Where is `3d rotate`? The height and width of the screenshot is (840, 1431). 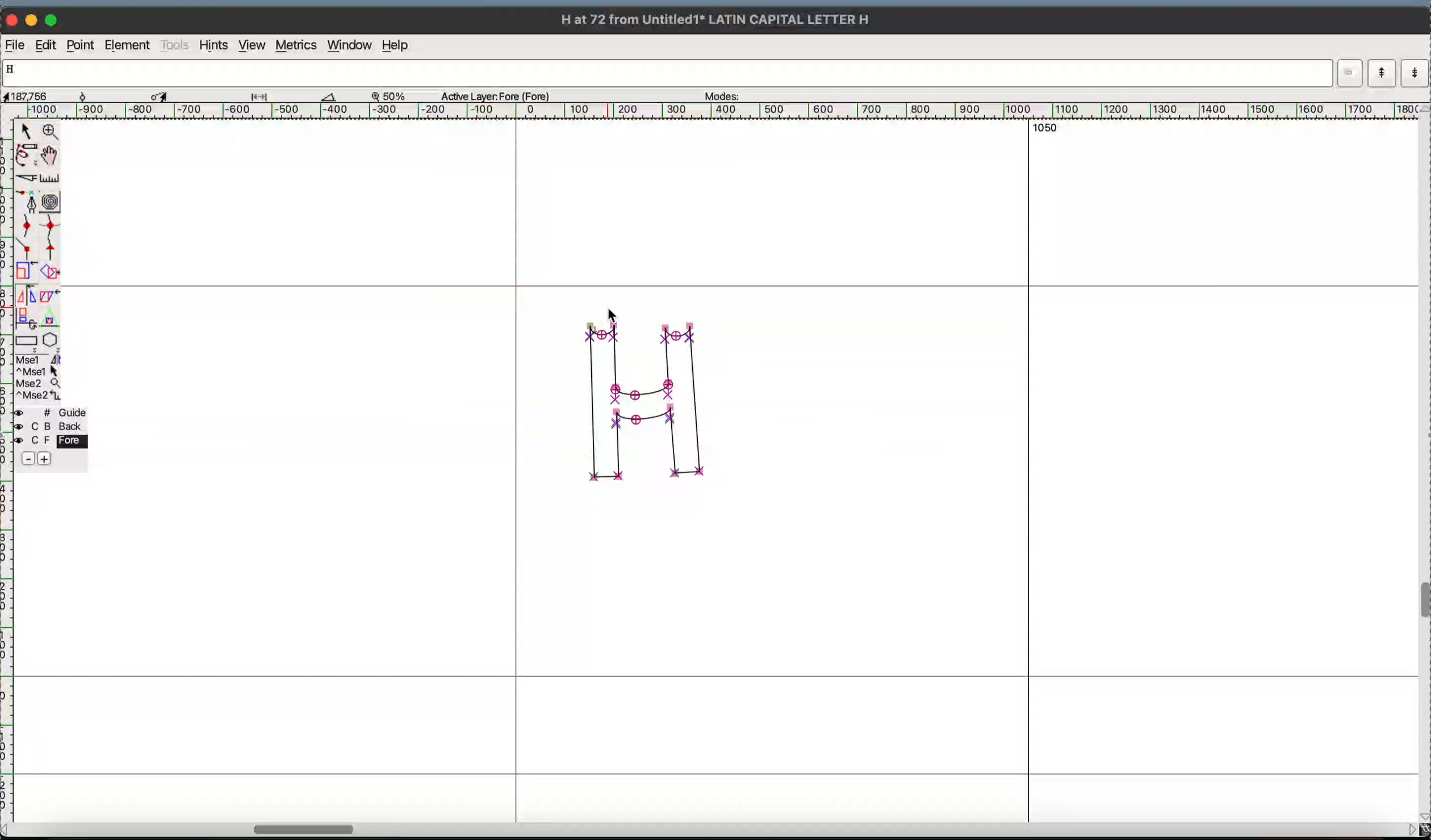
3d rotate is located at coordinates (26, 318).